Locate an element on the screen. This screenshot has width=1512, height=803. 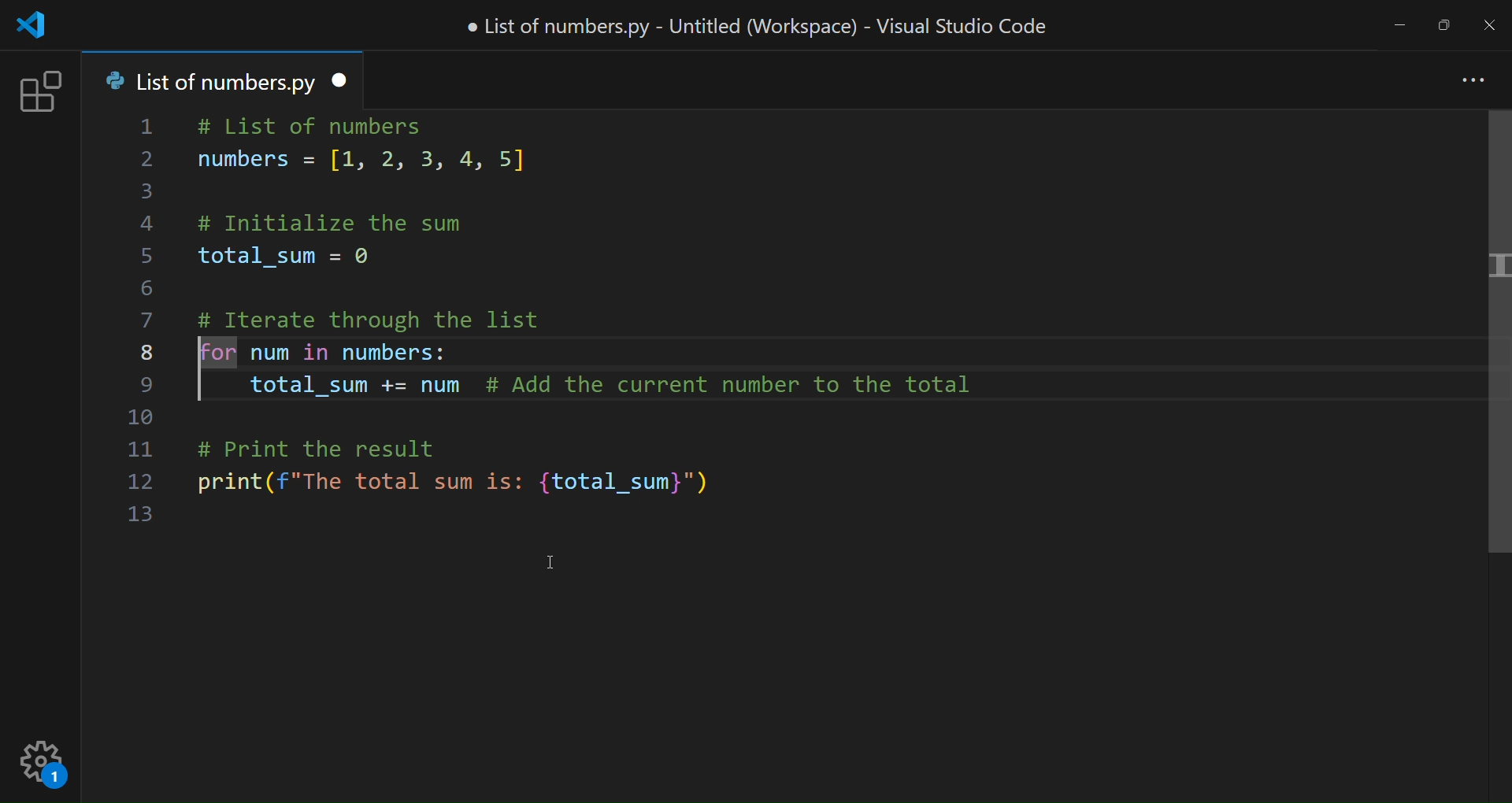
scroll bar is located at coordinates (1488, 342).